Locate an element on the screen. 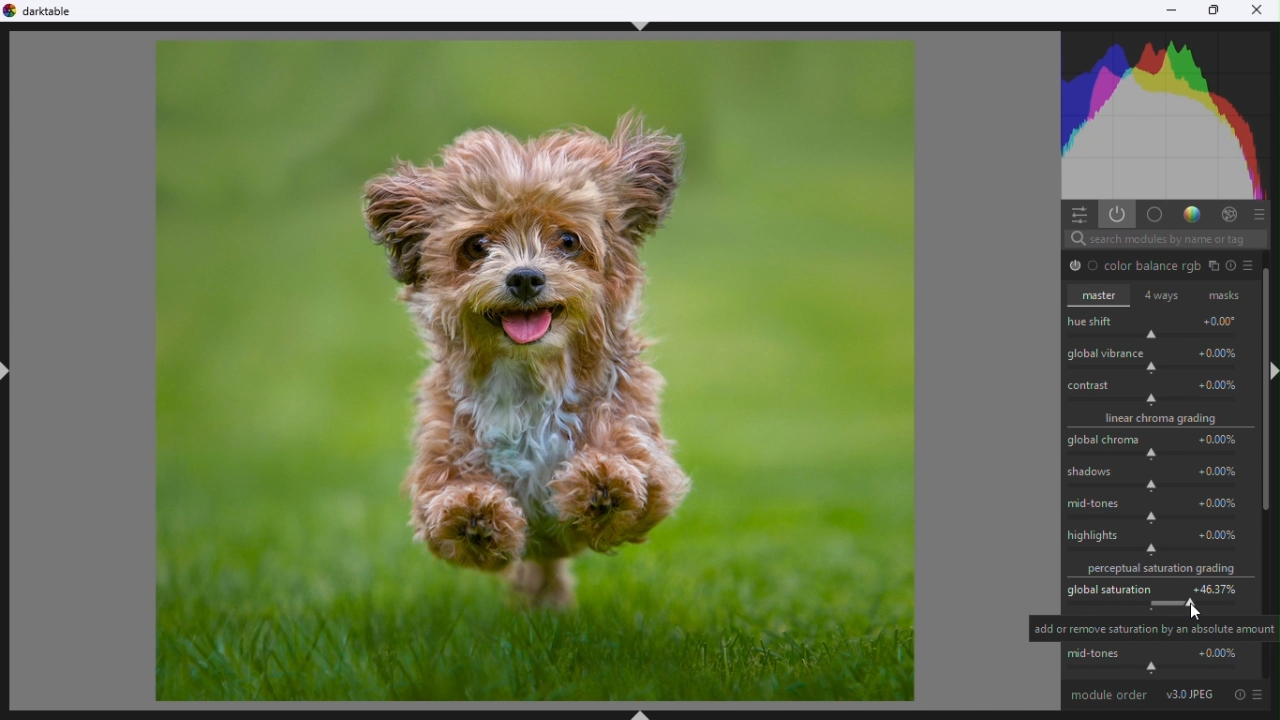 This screenshot has height=720, width=1280. Highlights is located at coordinates (1161, 544).